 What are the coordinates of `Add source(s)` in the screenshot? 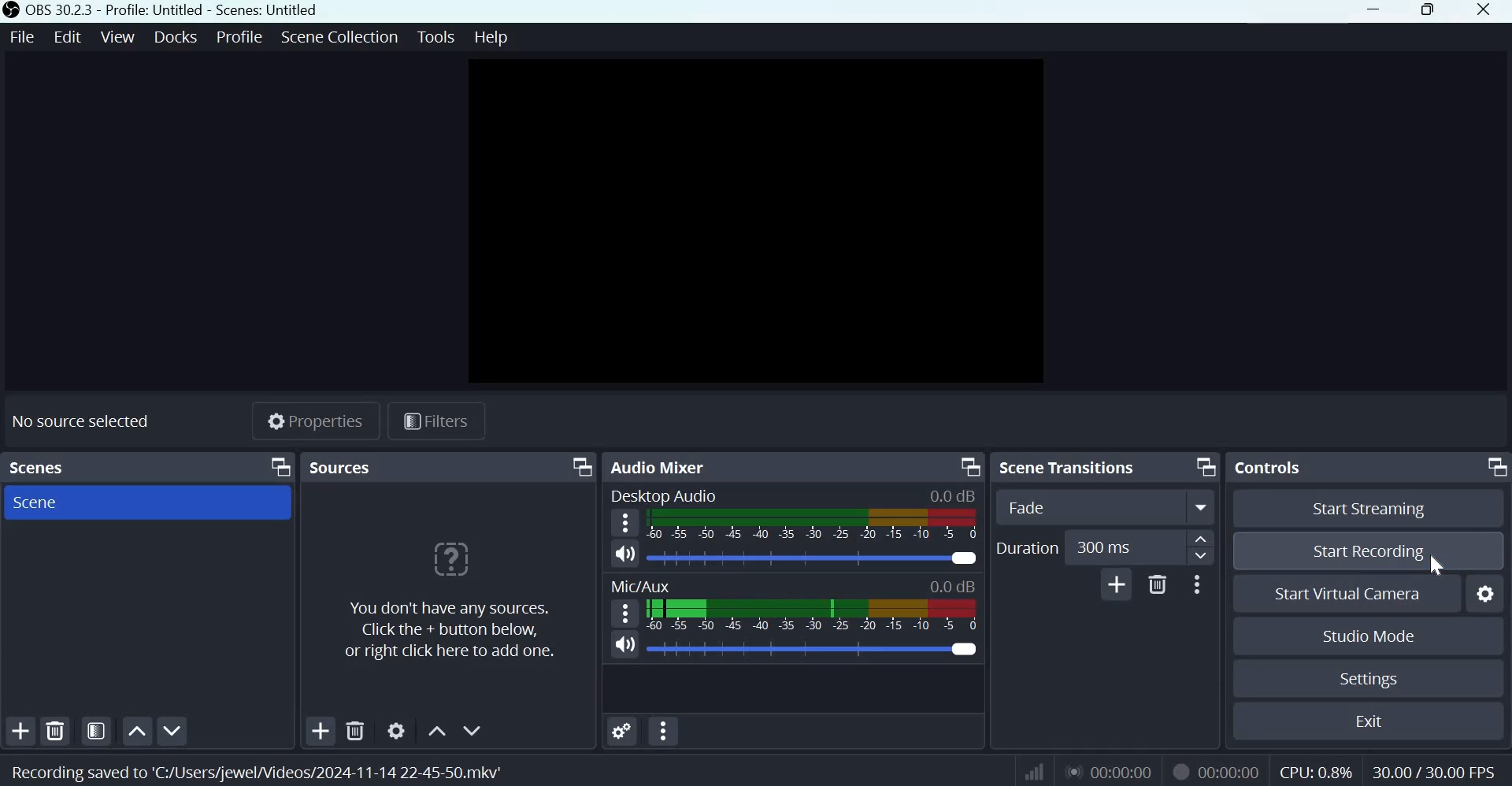 It's located at (319, 730).